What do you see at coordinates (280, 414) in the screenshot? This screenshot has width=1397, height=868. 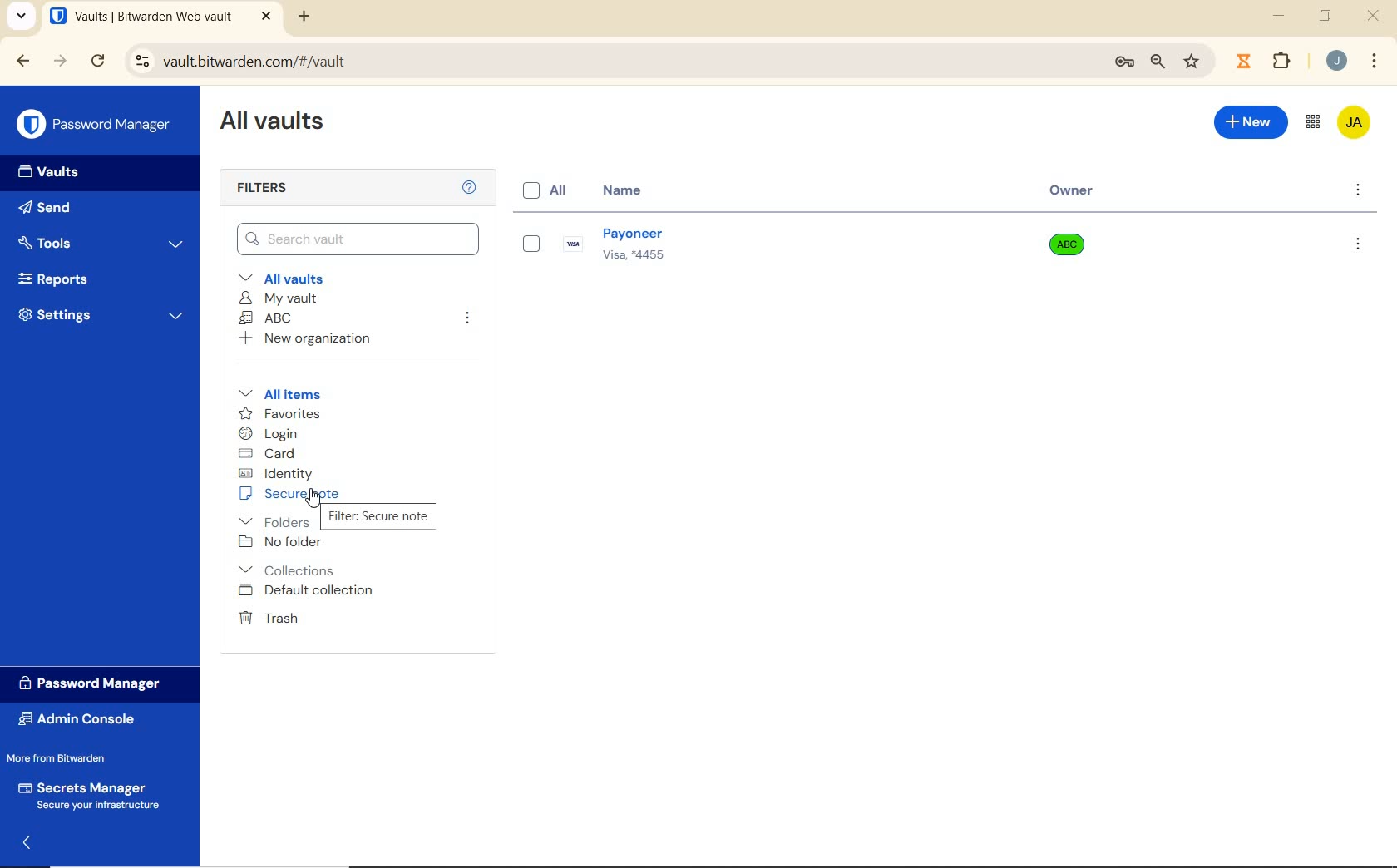 I see `favorites` at bounding box center [280, 414].